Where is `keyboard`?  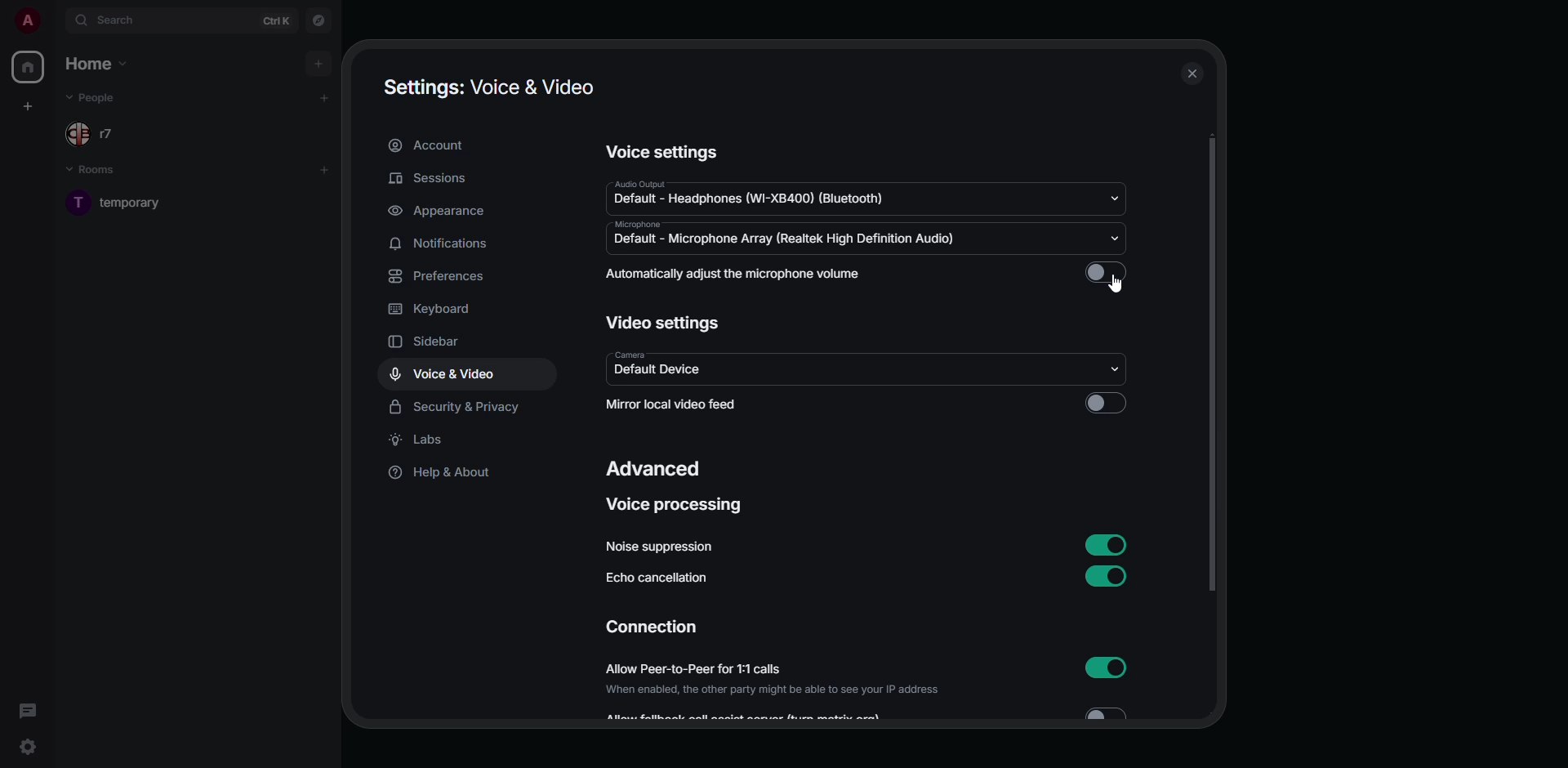
keyboard is located at coordinates (433, 310).